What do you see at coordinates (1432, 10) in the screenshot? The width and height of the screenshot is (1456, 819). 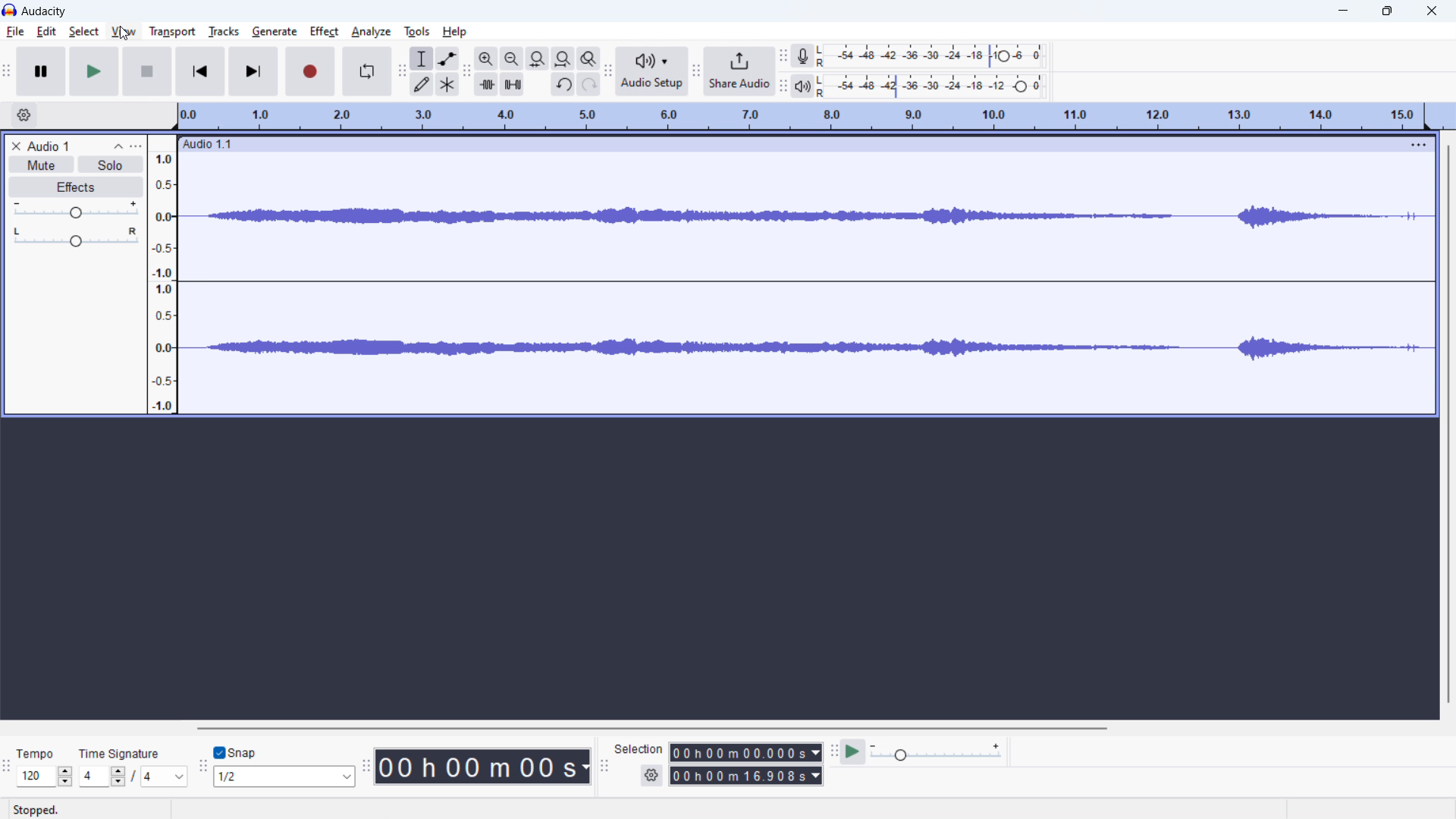 I see `close` at bounding box center [1432, 10].